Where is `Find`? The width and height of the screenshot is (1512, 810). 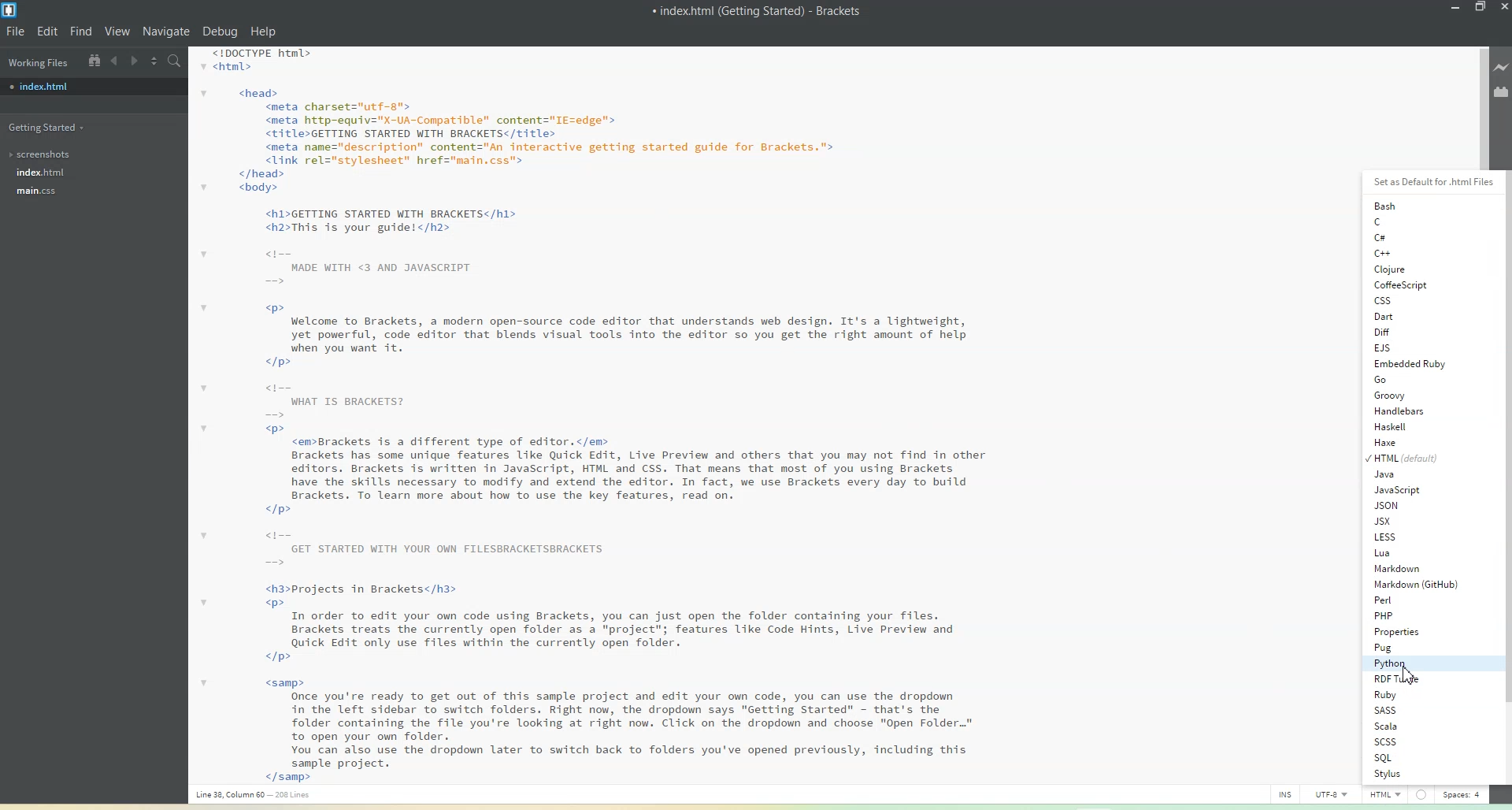
Find is located at coordinates (81, 32).